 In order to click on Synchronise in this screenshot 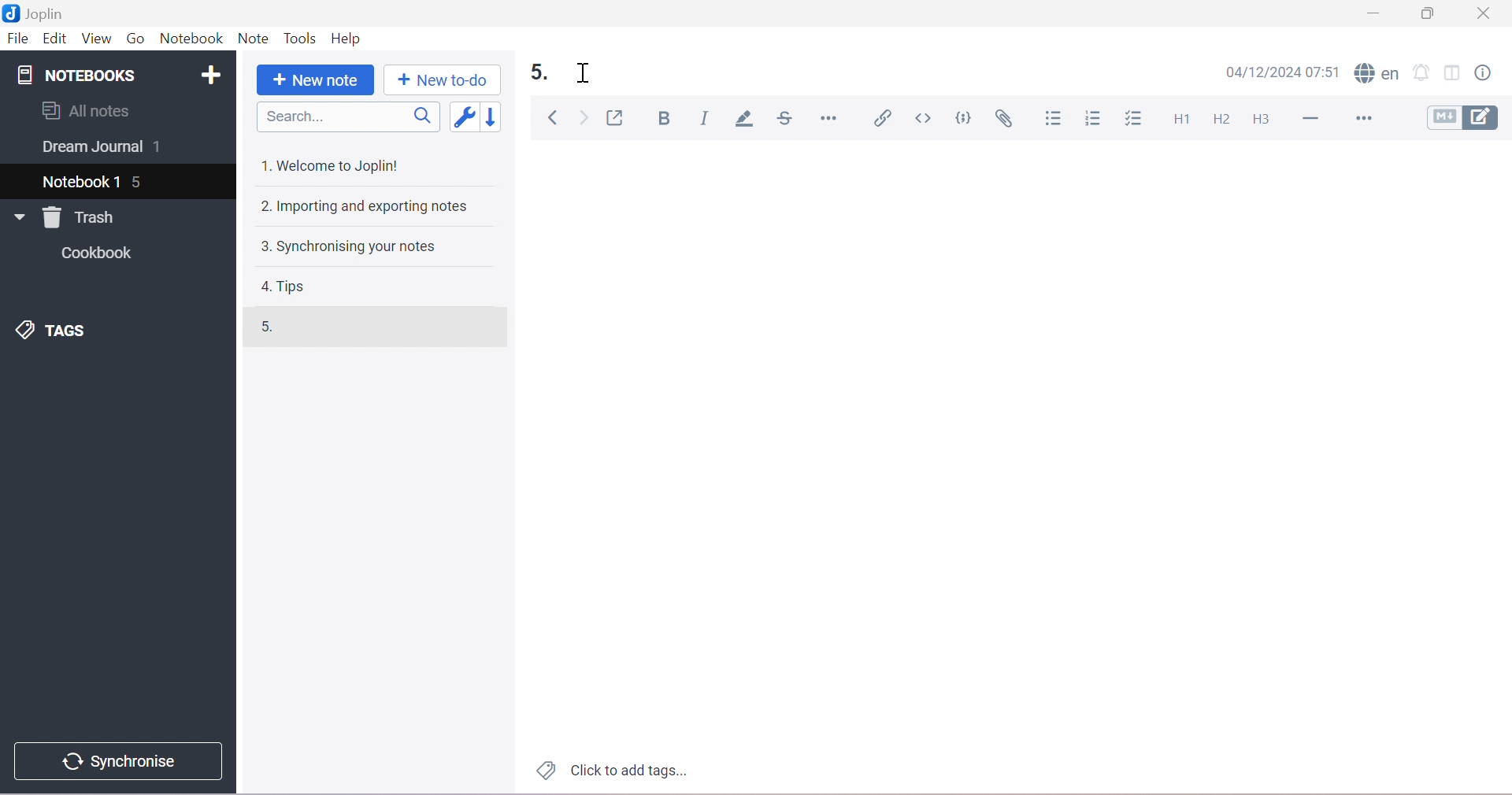, I will do `click(124, 761)`.